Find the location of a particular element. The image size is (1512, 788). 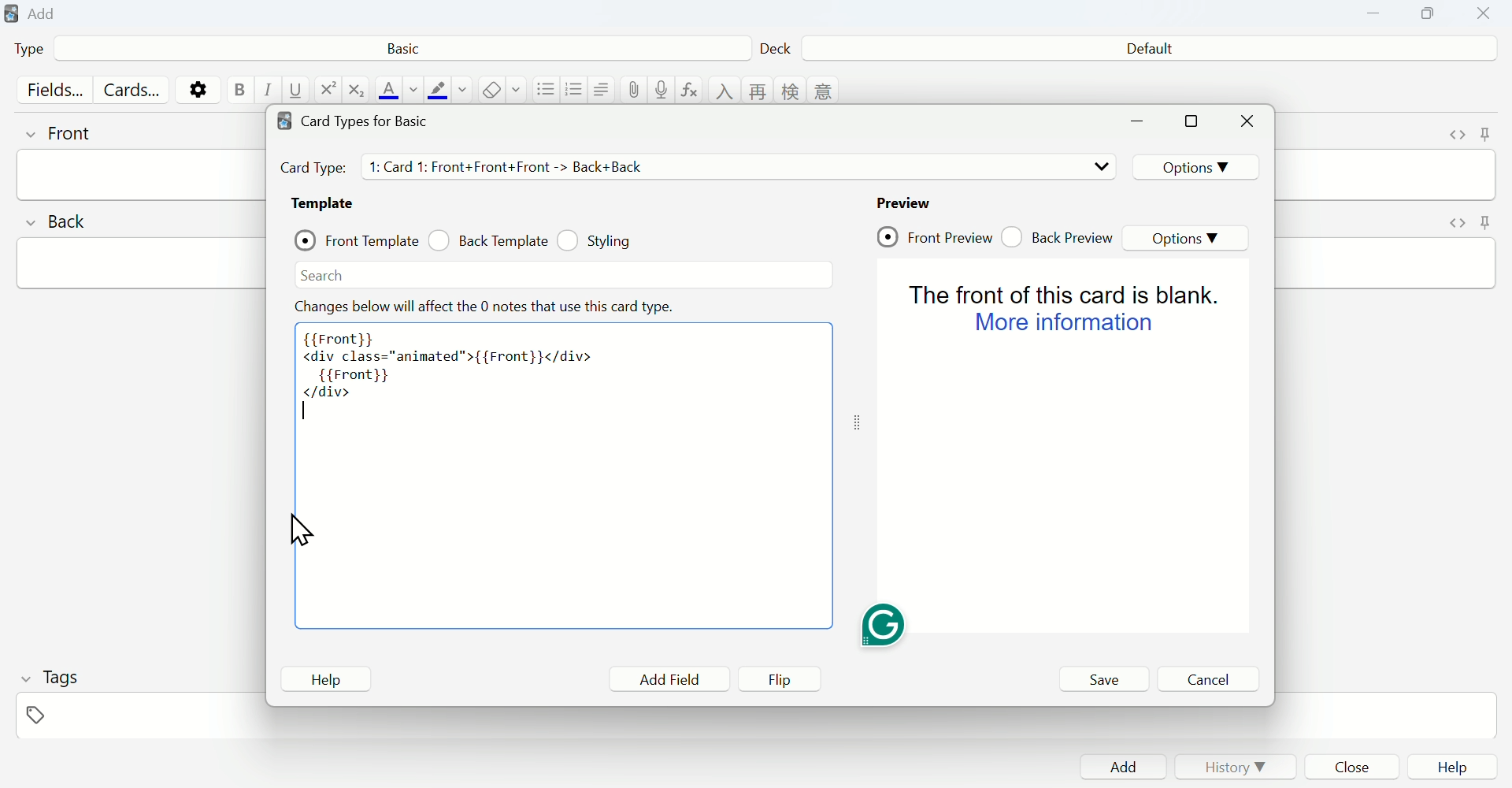

unordered list is located at coordinates (545, 90).